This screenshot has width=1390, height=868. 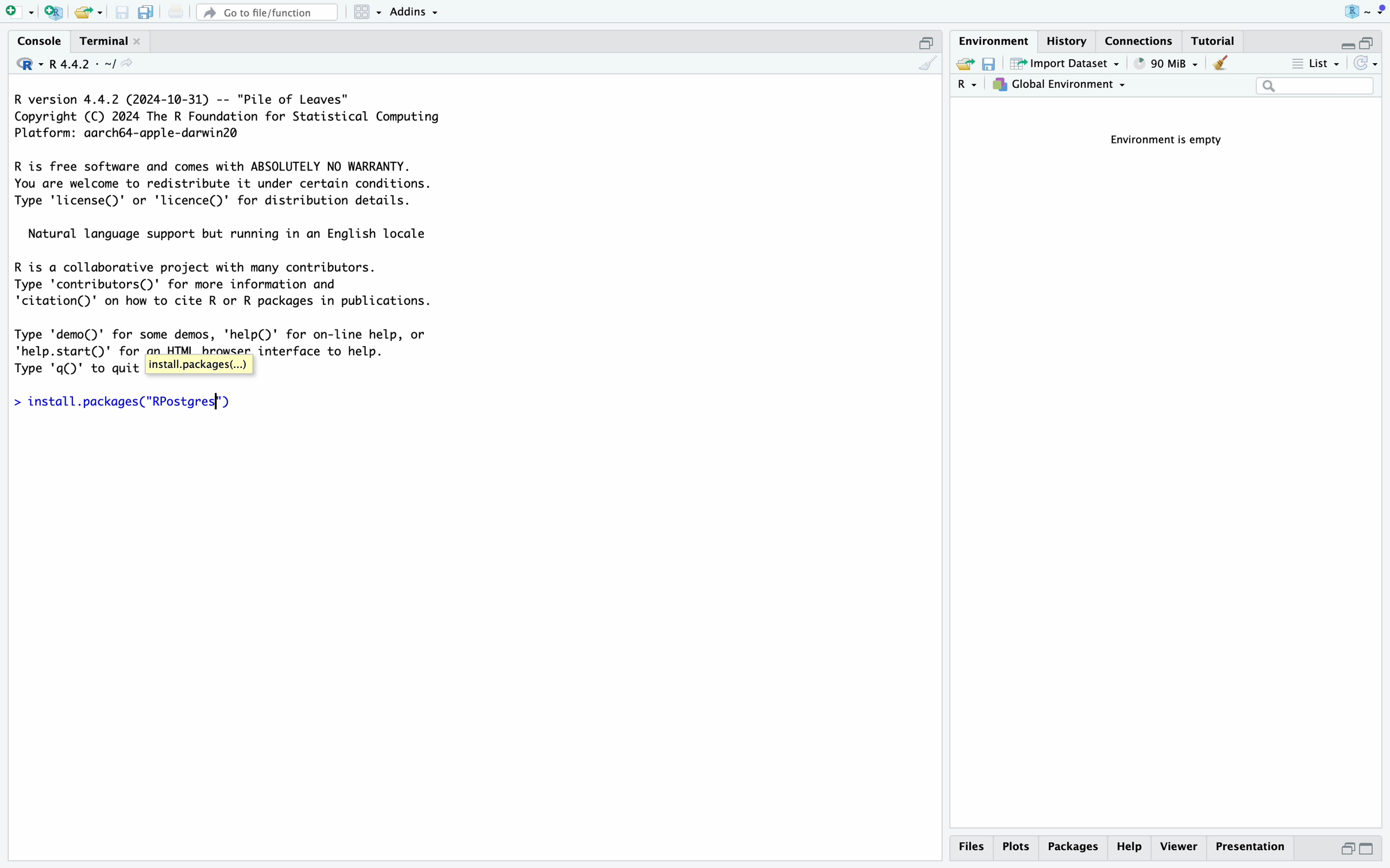 I want to click on print the current file, so click(x=173, y=11).